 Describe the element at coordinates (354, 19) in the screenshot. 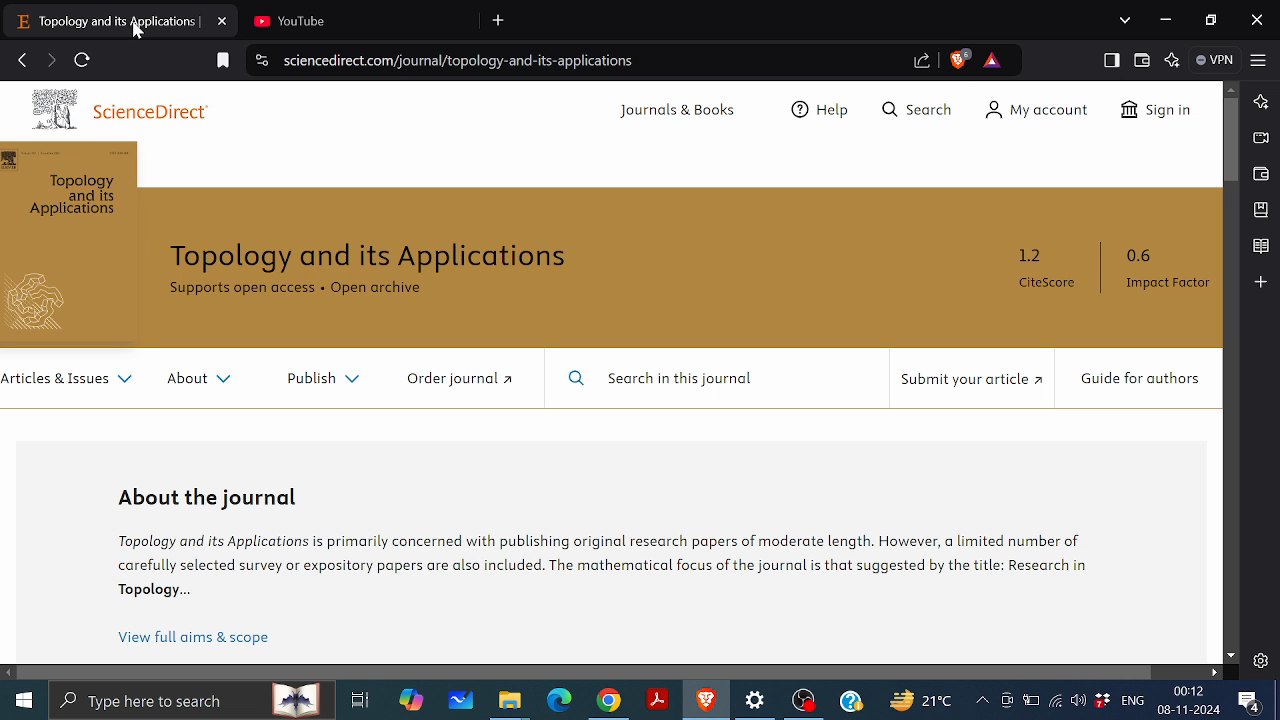

I see `Next tab` at that location.